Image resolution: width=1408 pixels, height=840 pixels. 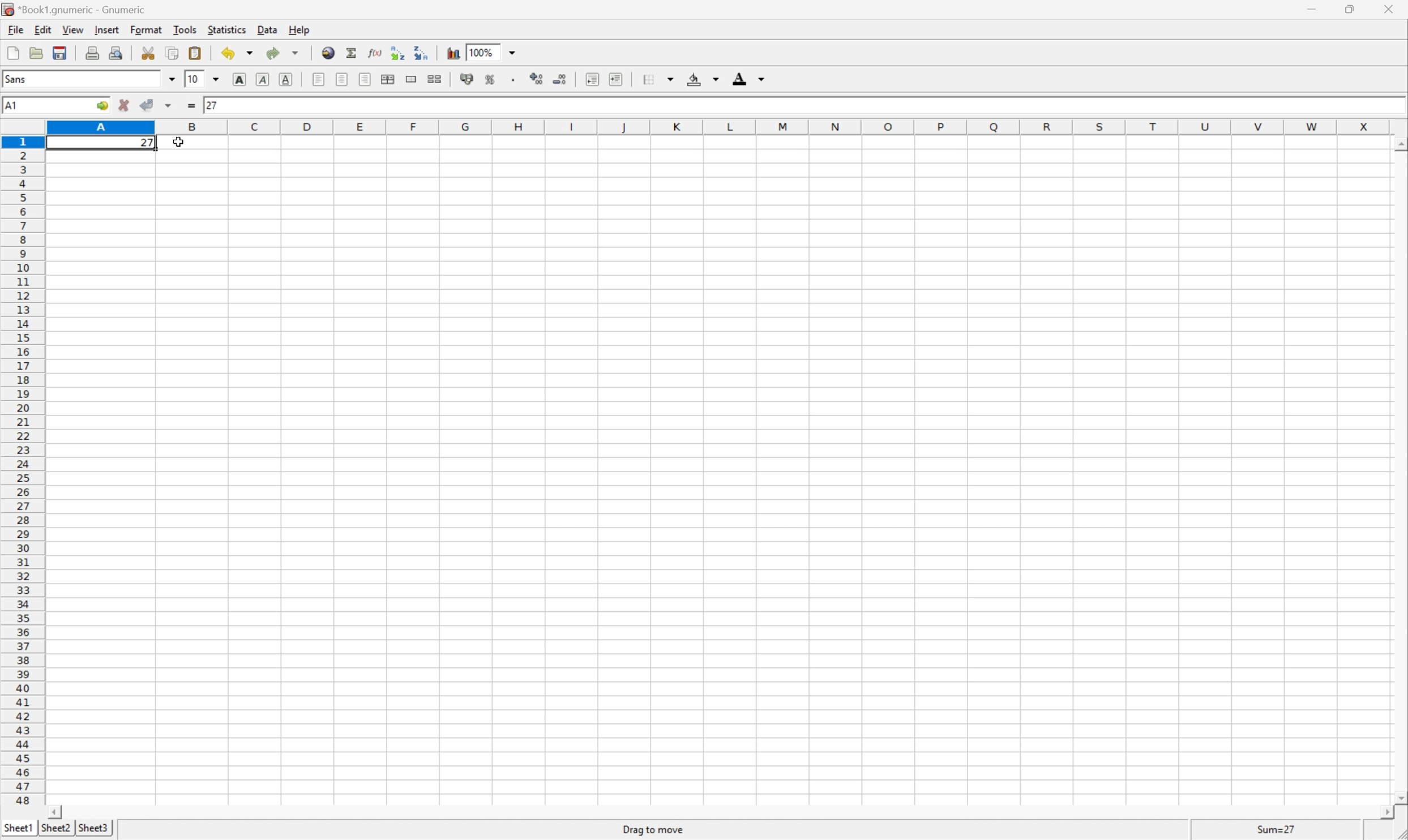 What do you see at coordinates (1381, 810) in the screenshot?
I see `Scroll Right` at bounding box center [1381, 810].